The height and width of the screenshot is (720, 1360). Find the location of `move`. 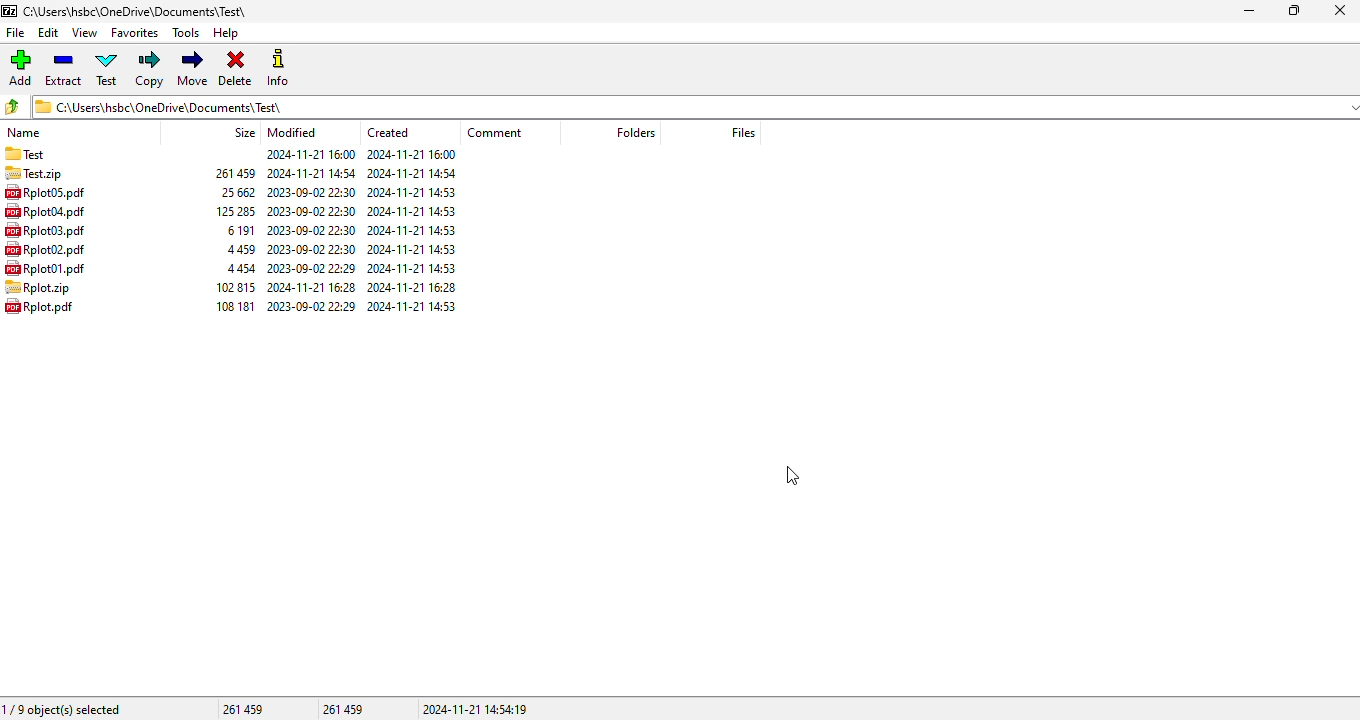

move is located at coordinates (194, 69).